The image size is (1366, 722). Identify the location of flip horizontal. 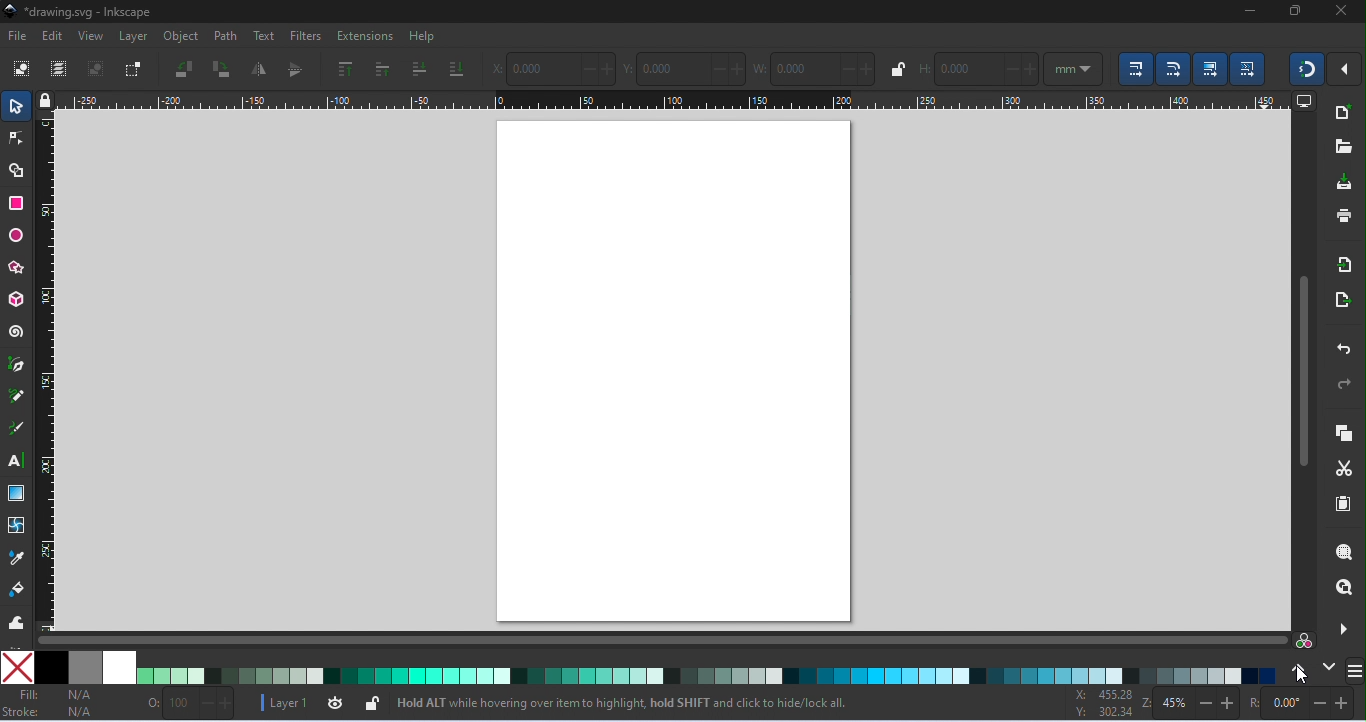
(260, 68).